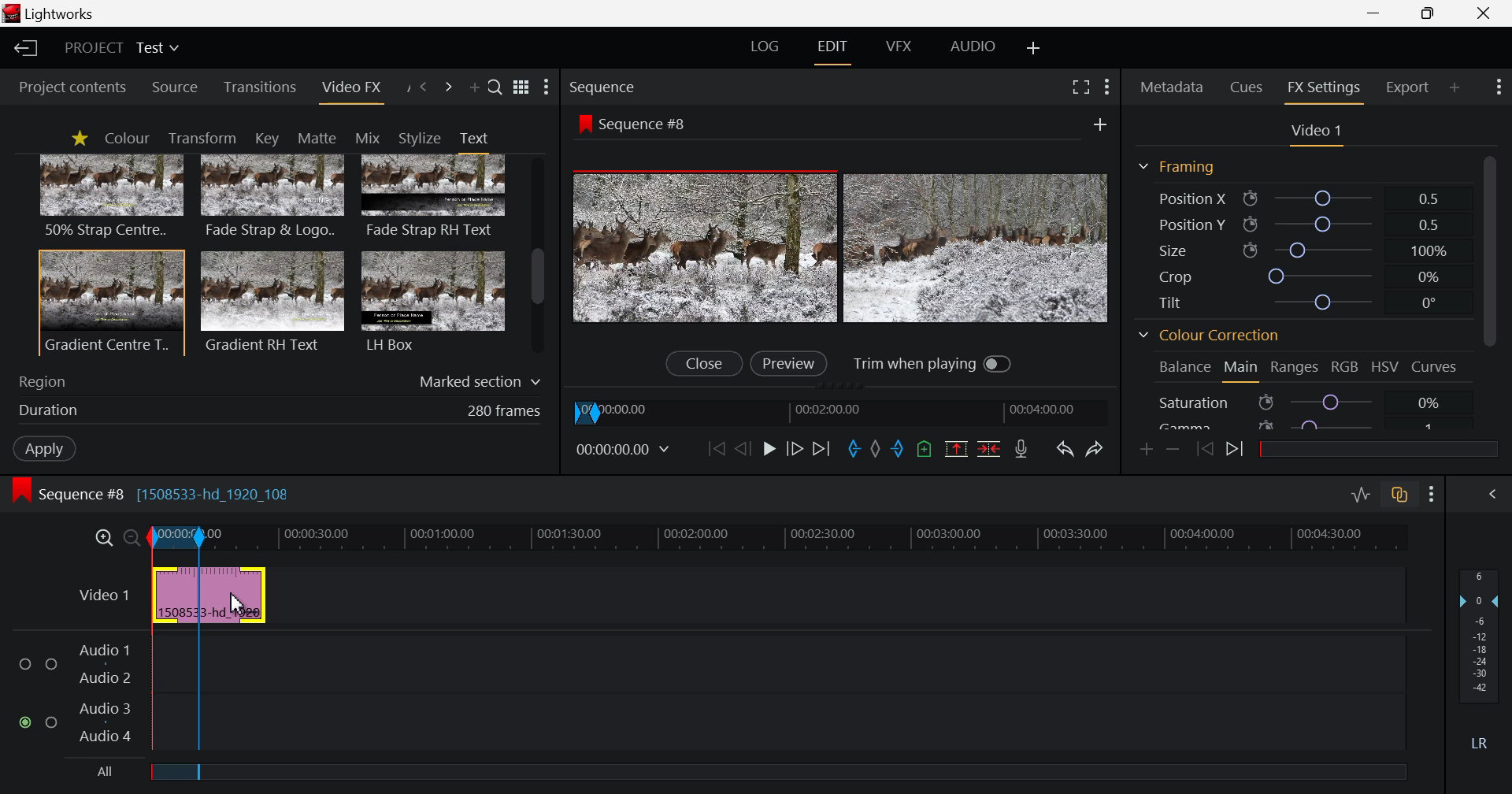  What do you see at coordinates (124, 48) in the screenshot?
I see `Project title` at bounding box center [124, 48].